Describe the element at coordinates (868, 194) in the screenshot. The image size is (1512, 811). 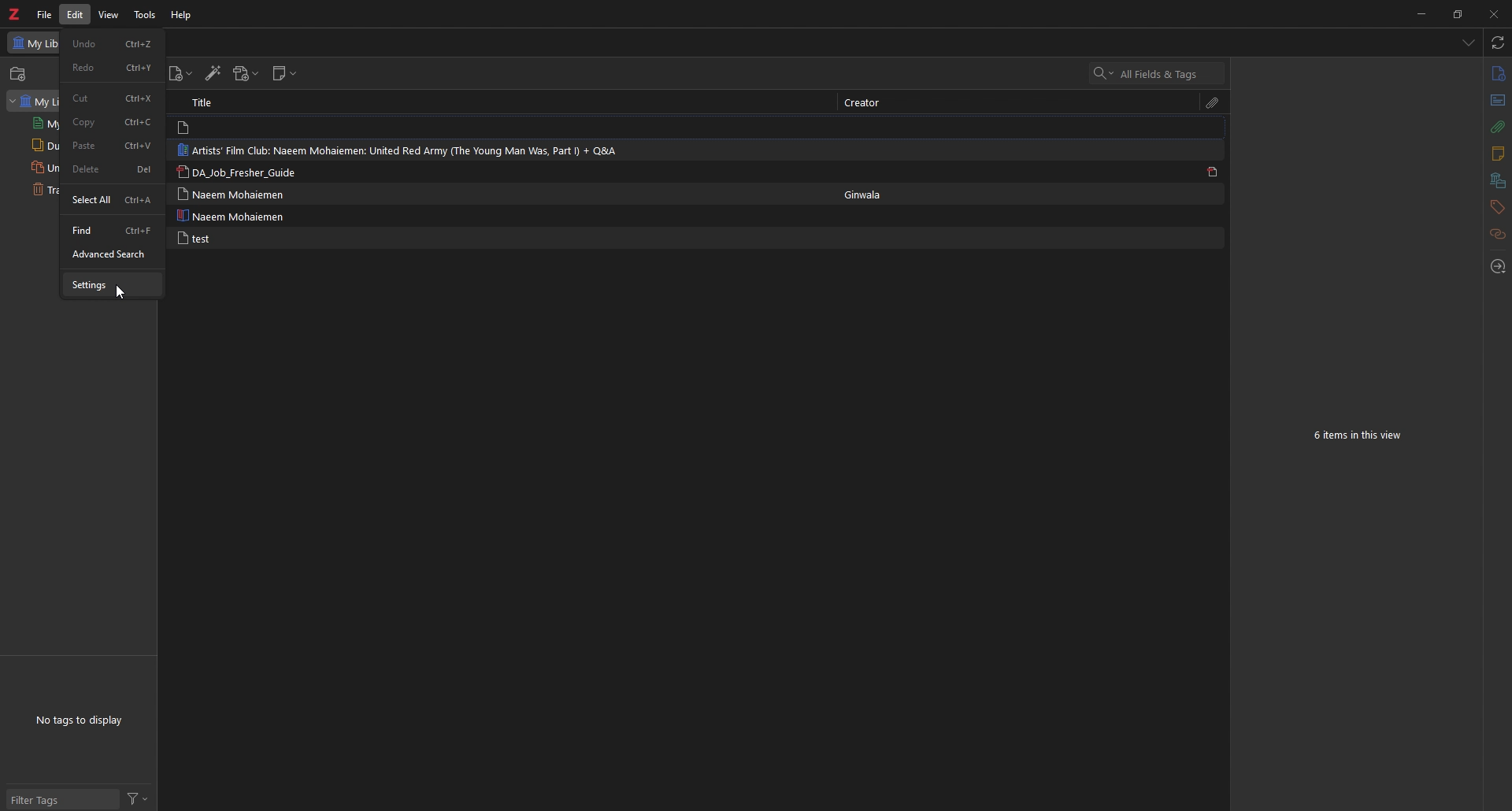
I see `Ginwala` at that location.